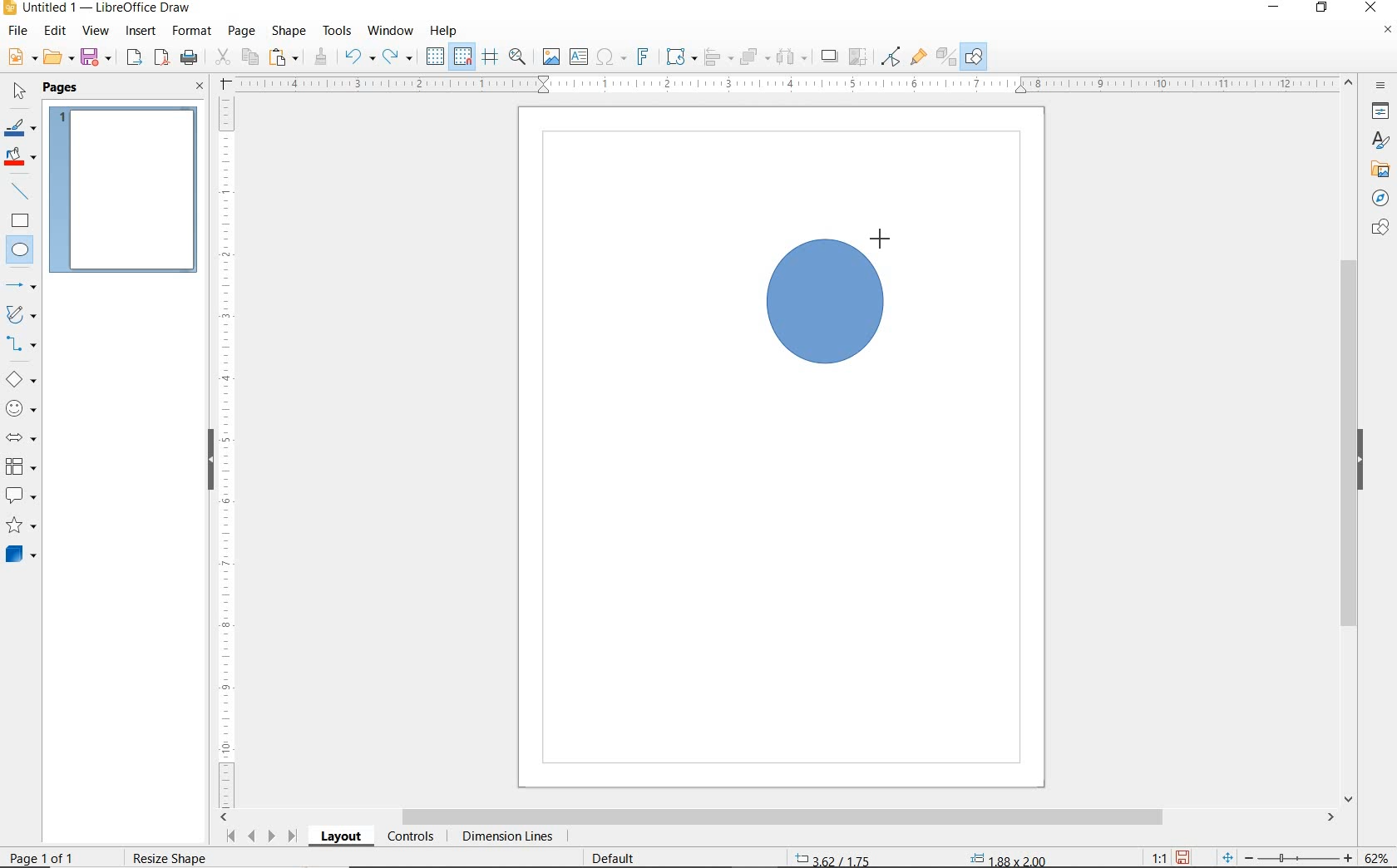 The width and height of the screenshot is (1397, 868). What do you see at coordinates (398, 57) in the screenshot?
I see `REDO` at bounding box center [398, 57].